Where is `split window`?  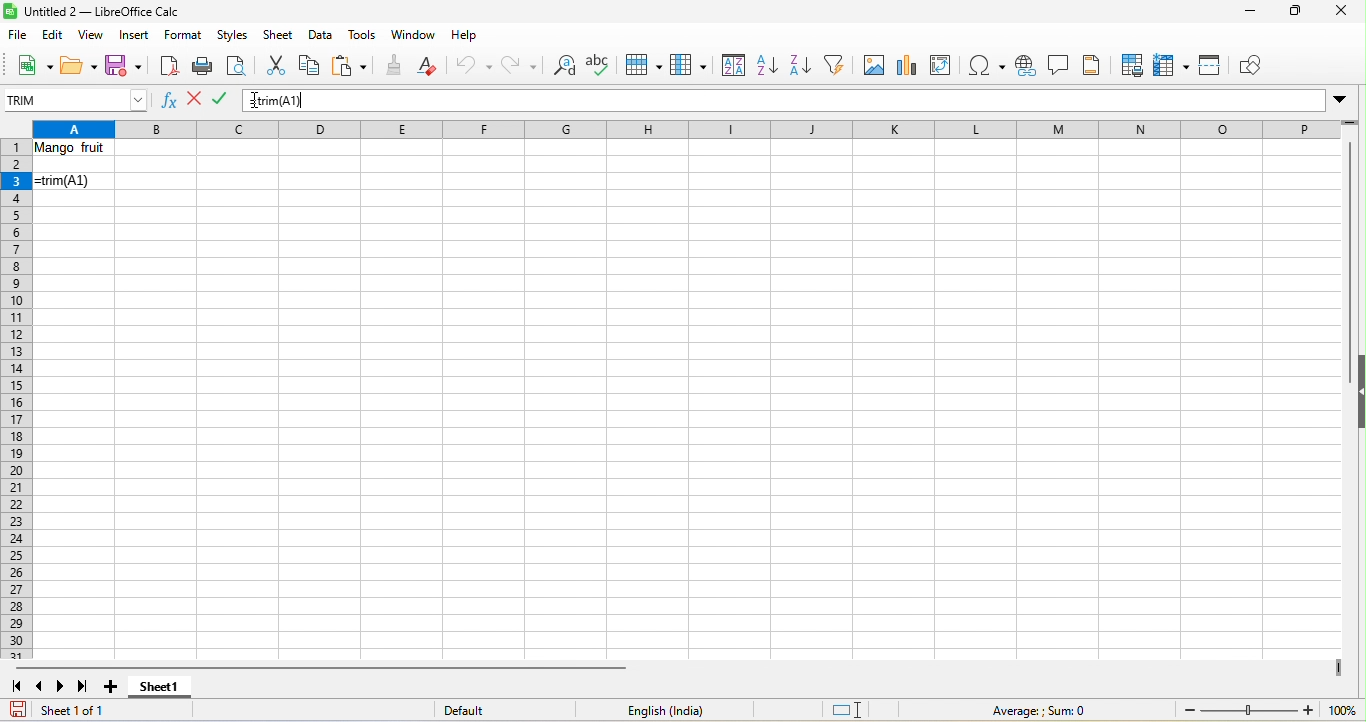
split window is located at coordinates (1215, 68).